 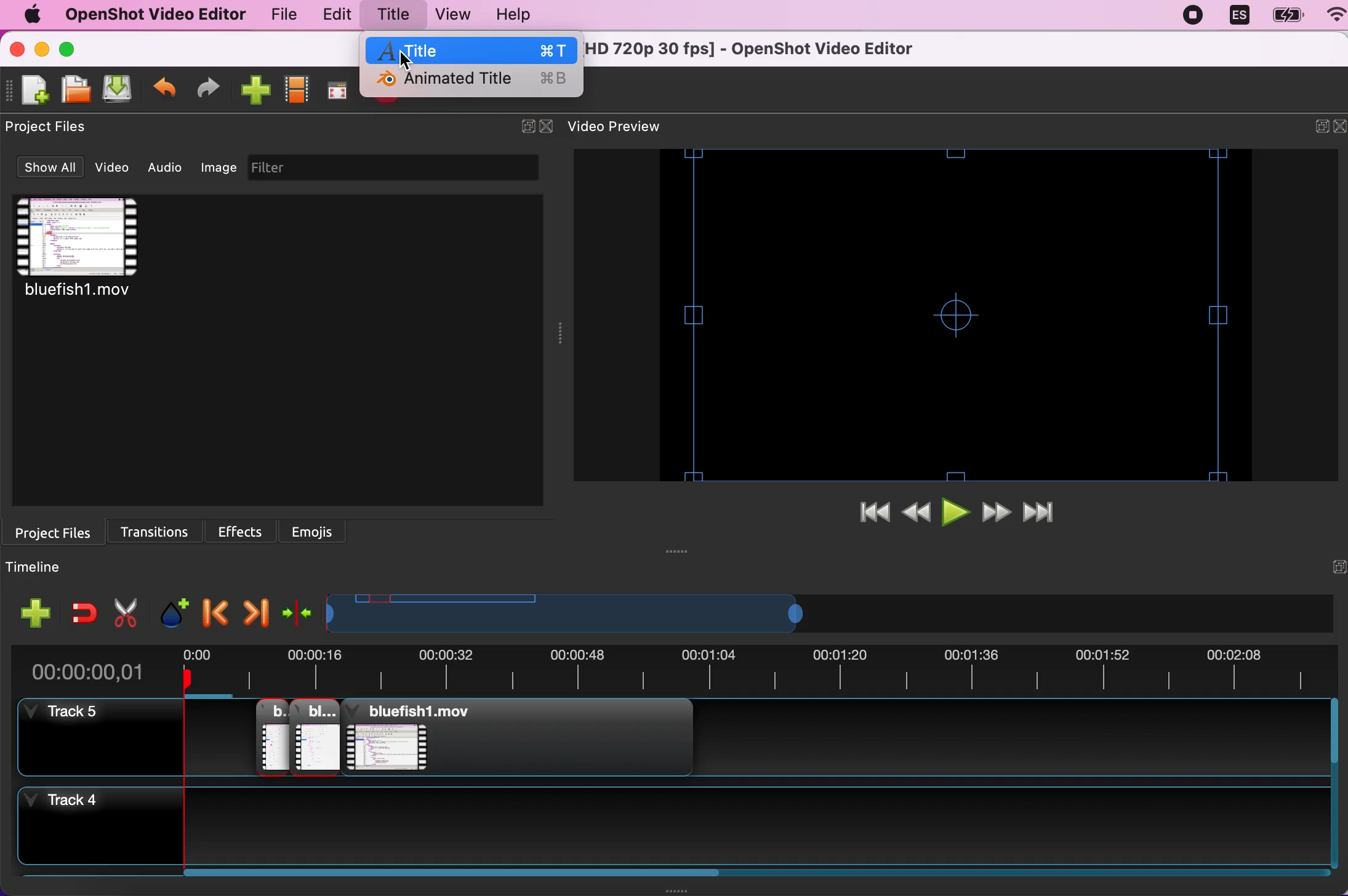 What do you see at coordinates (469, 50) in the screenshot?
I see `title` at bounding box center [469, 50].